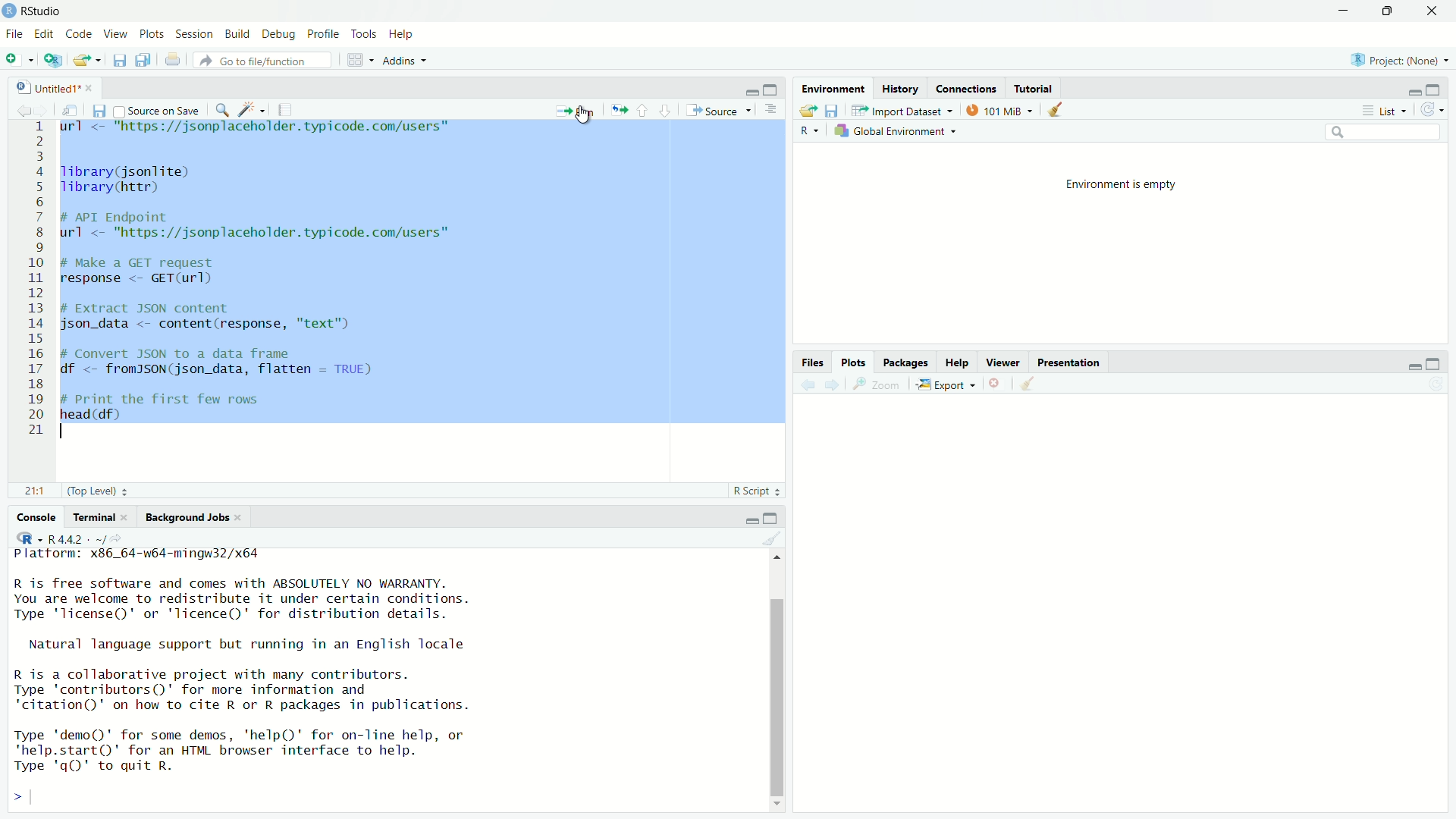  What do you see at coordinates (278, 34) in the screenshot?
I see `Debug` at bounding box center [278, 34].